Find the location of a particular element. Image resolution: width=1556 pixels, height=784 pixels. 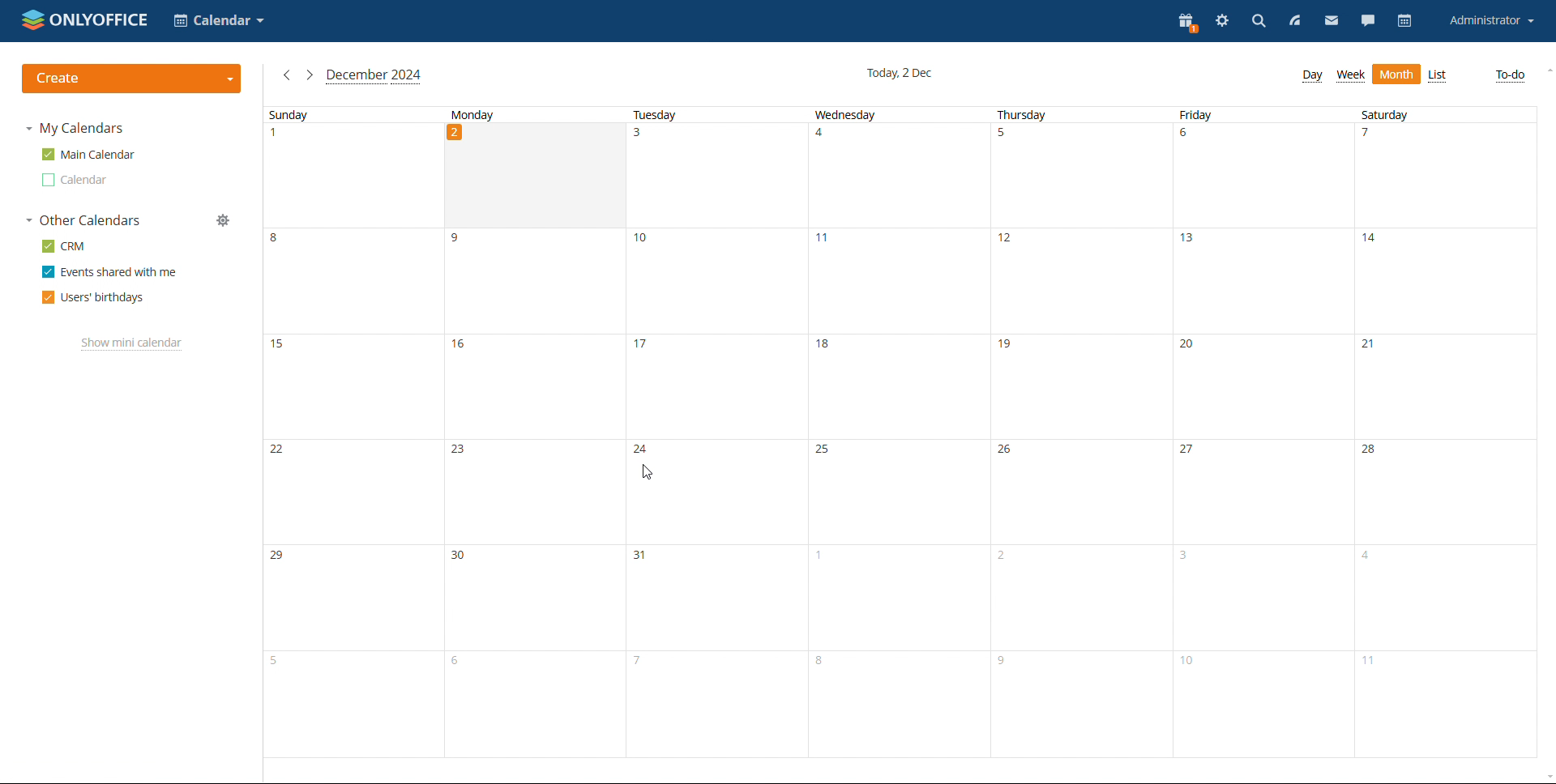

9 is located at coordinates (463, 239).